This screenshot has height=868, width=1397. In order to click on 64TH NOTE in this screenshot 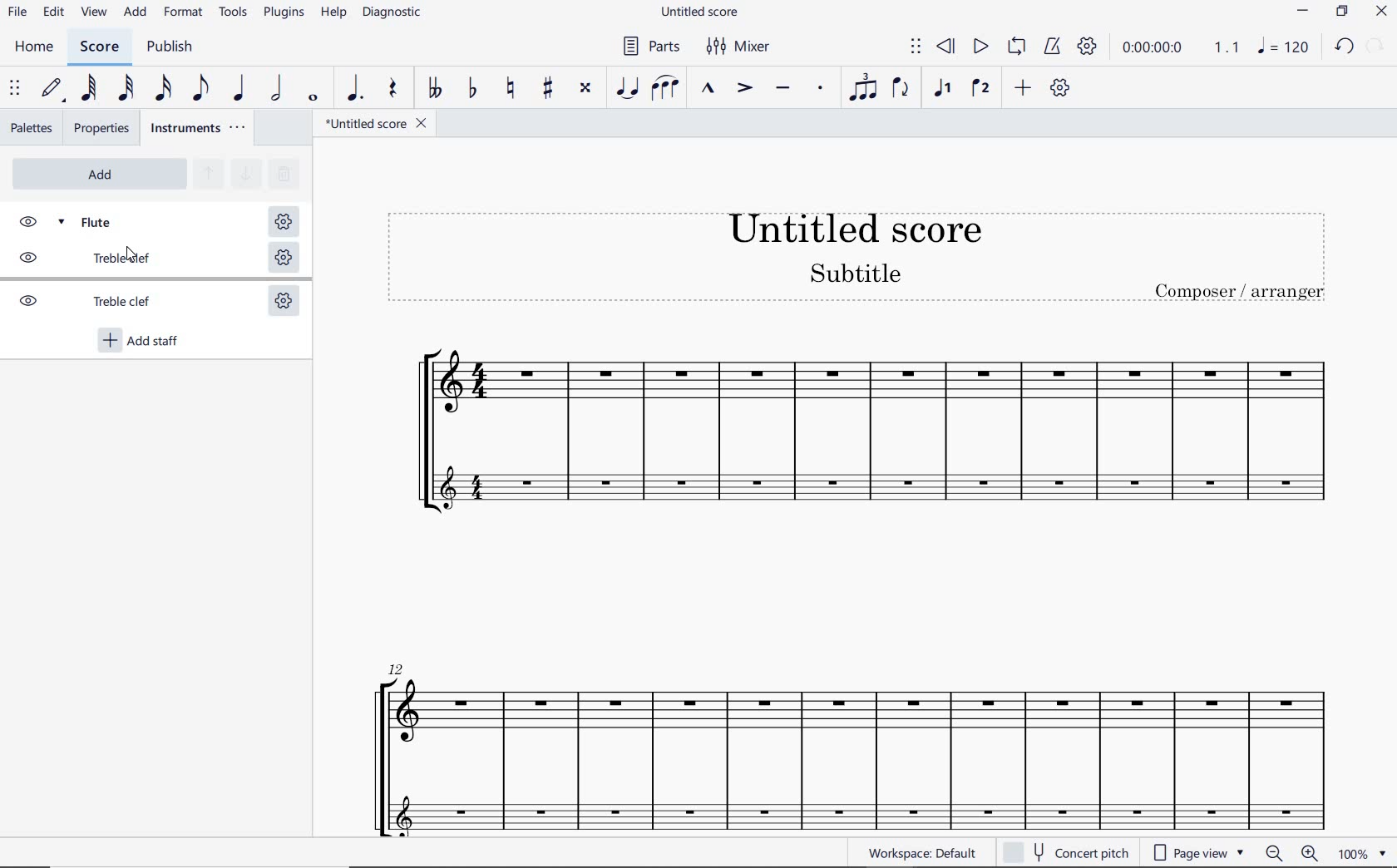, I will do `click(90, 88)`.